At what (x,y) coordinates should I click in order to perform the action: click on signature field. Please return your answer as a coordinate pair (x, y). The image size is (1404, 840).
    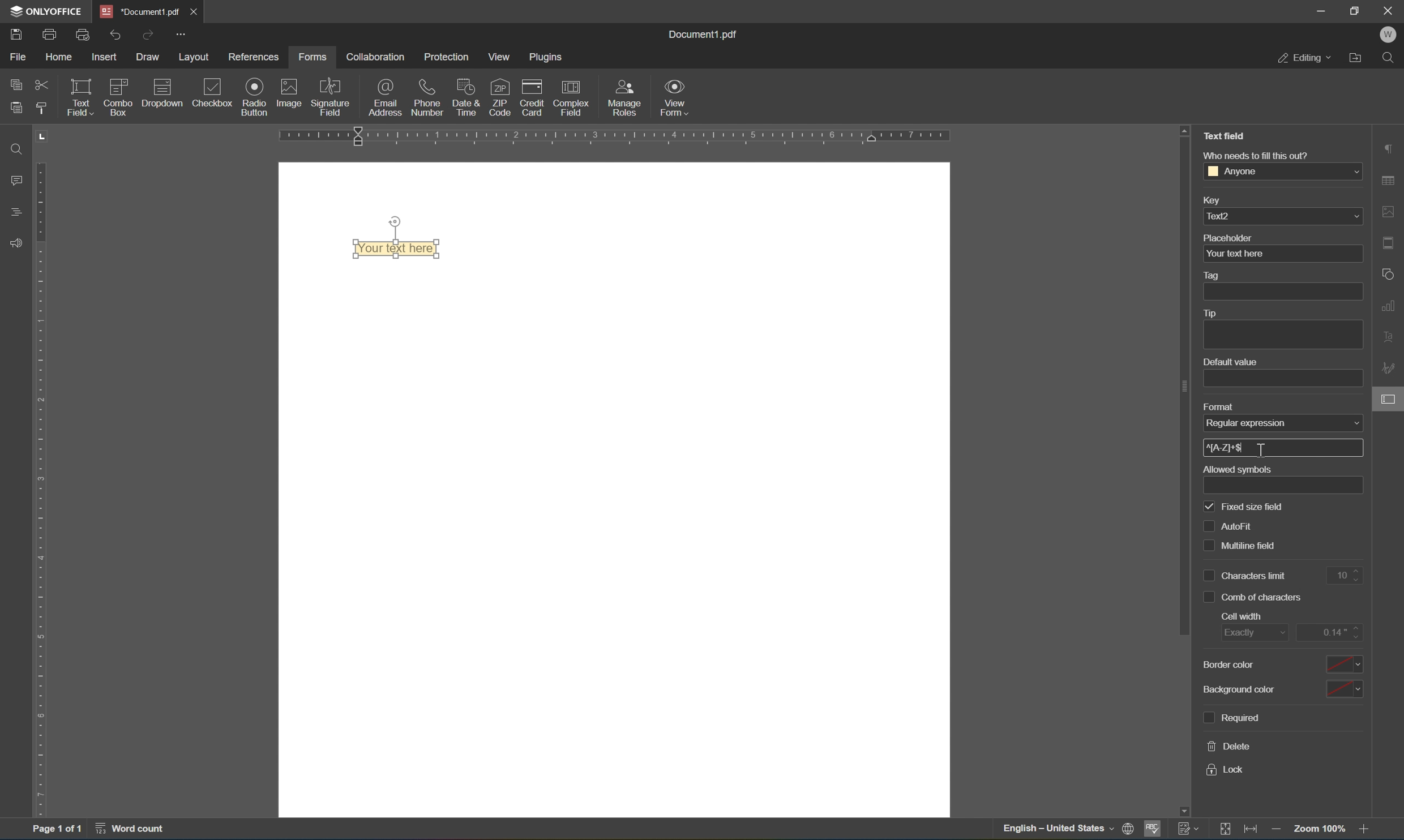
    Looking at the image, I should click on (331, 97).